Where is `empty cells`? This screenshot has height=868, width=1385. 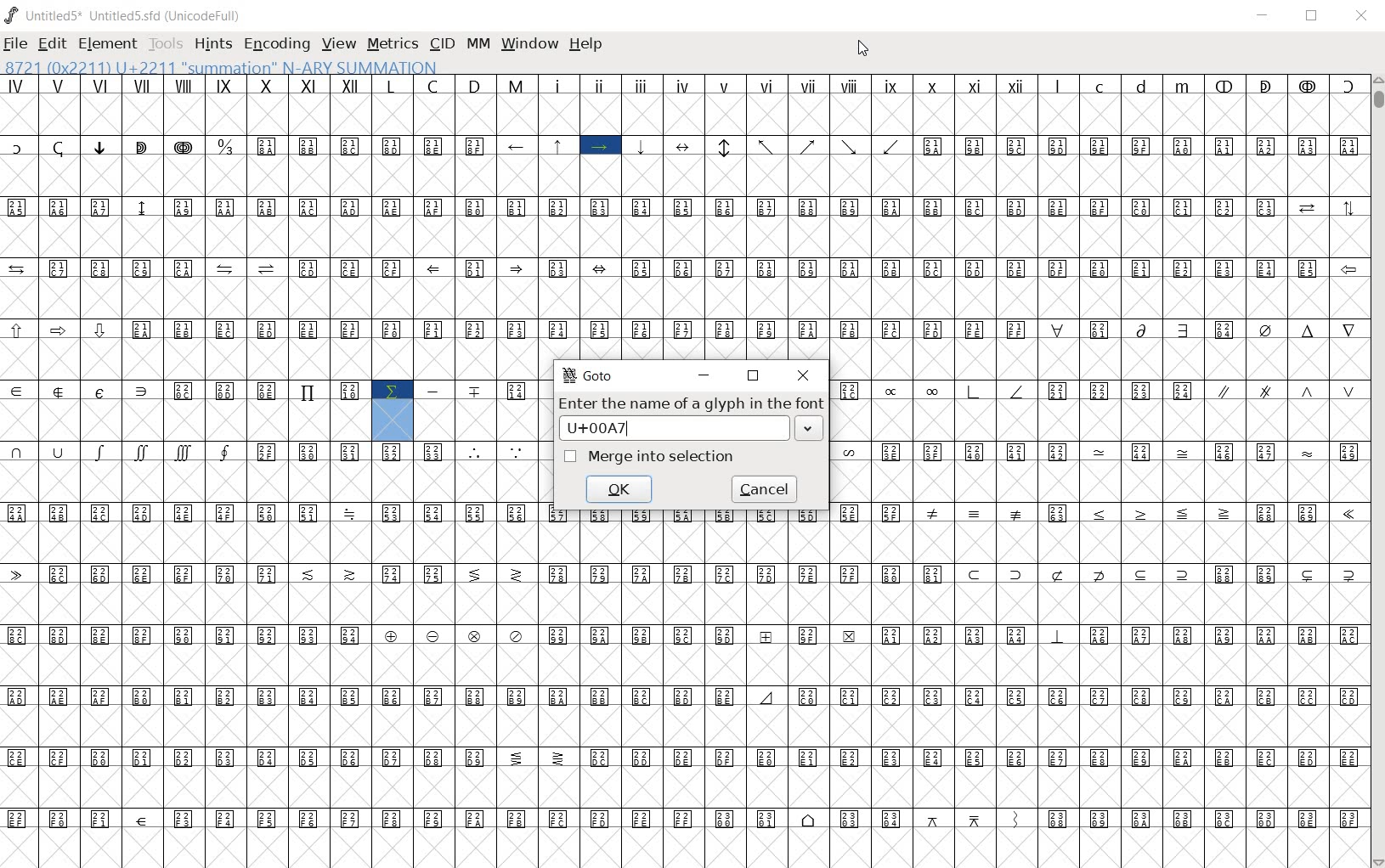
empty cells is located at coordinates (273, 360).